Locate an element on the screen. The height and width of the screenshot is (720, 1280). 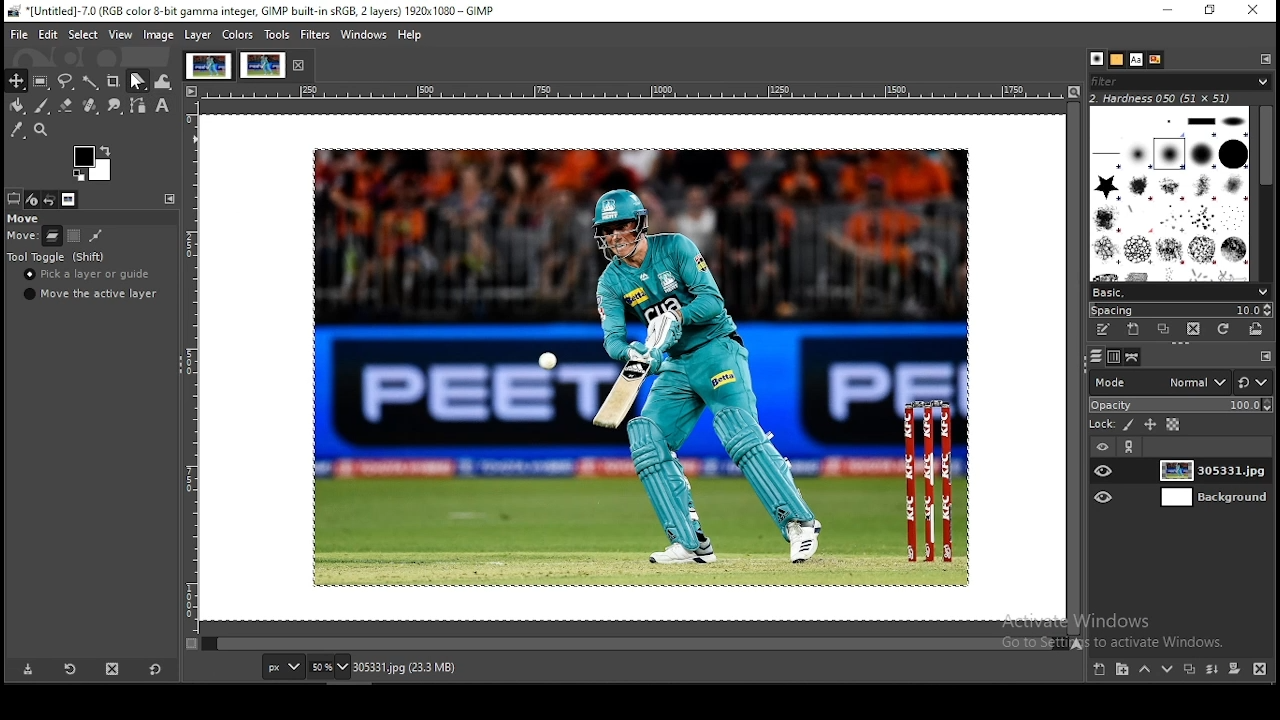
text tool is located at coordinates (164, 106).